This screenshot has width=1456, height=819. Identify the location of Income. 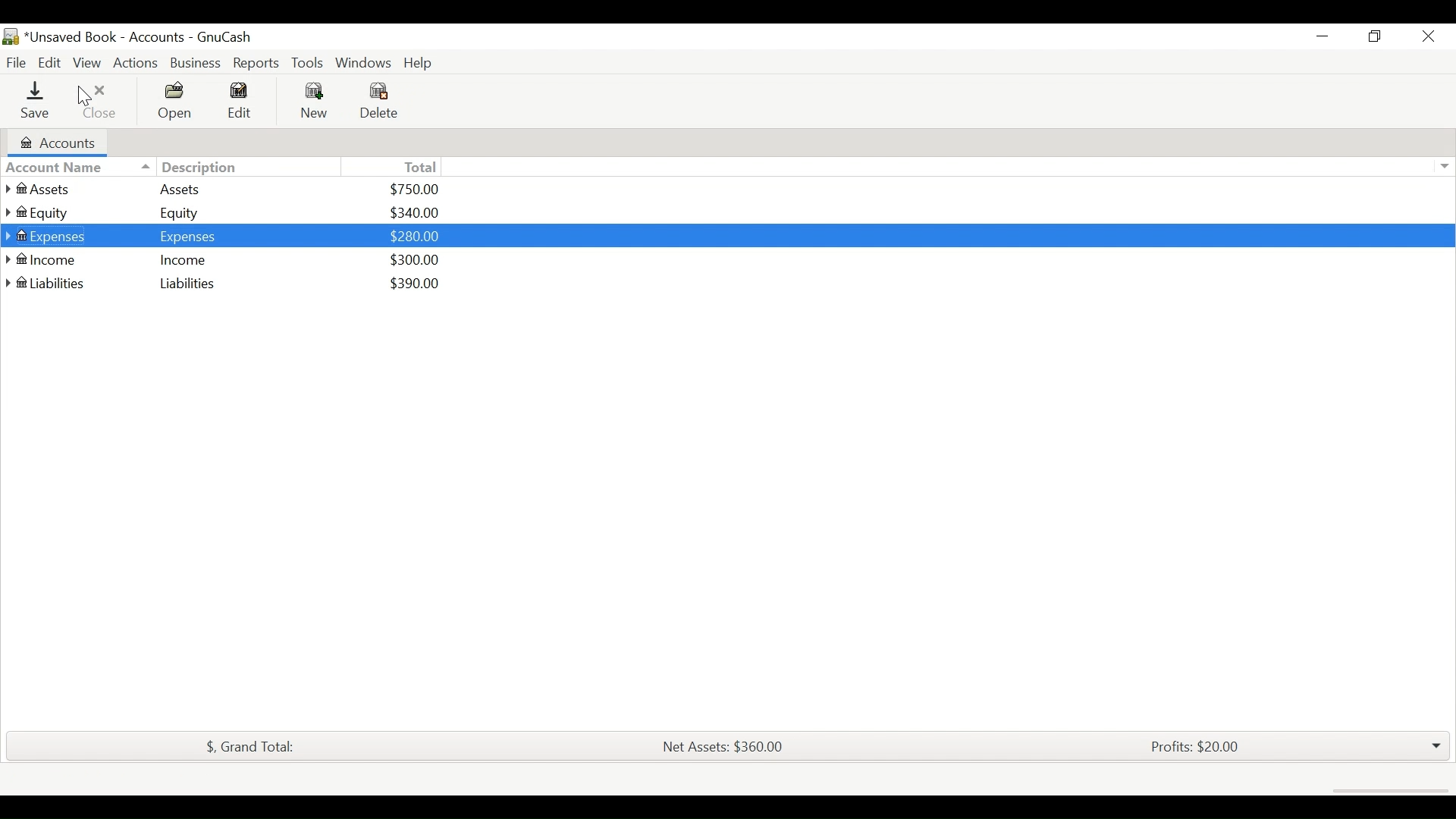
(55, 260).